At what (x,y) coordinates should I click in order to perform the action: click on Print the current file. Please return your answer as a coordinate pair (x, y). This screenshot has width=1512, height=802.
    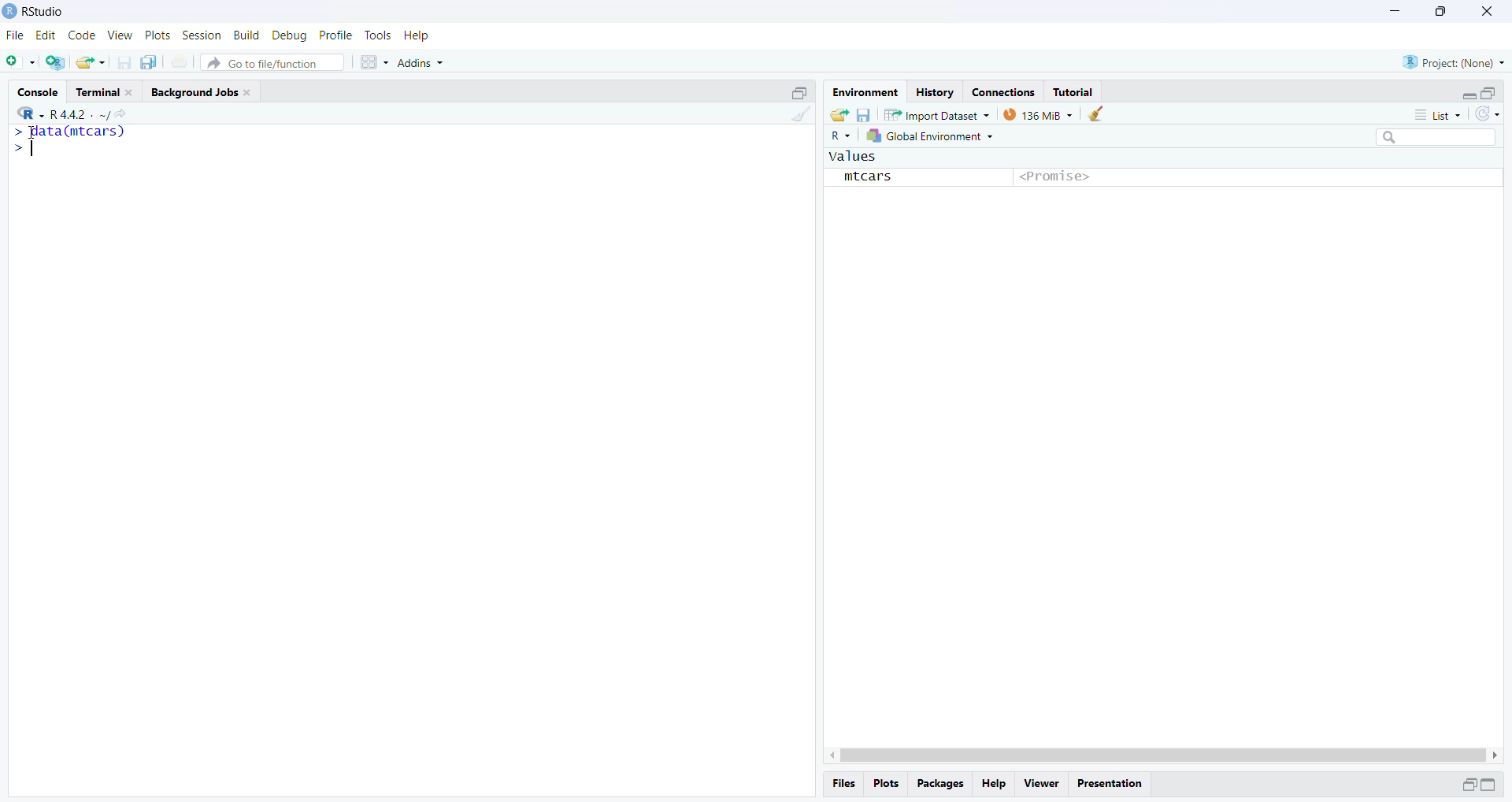
    Looking at the image, I should click on (180, 65).